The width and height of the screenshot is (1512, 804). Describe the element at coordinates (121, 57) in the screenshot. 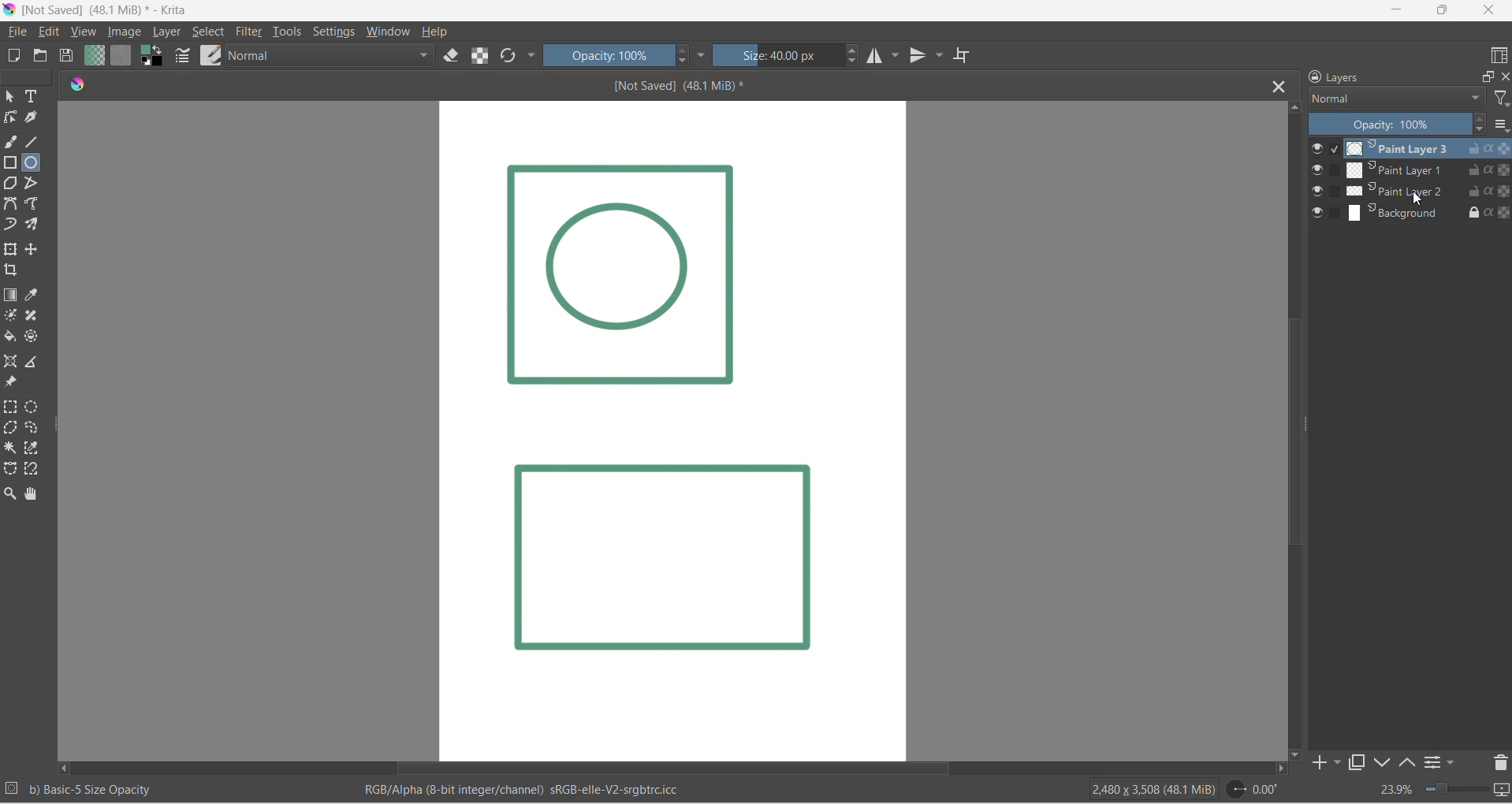

I see `fill patterns` at that location.